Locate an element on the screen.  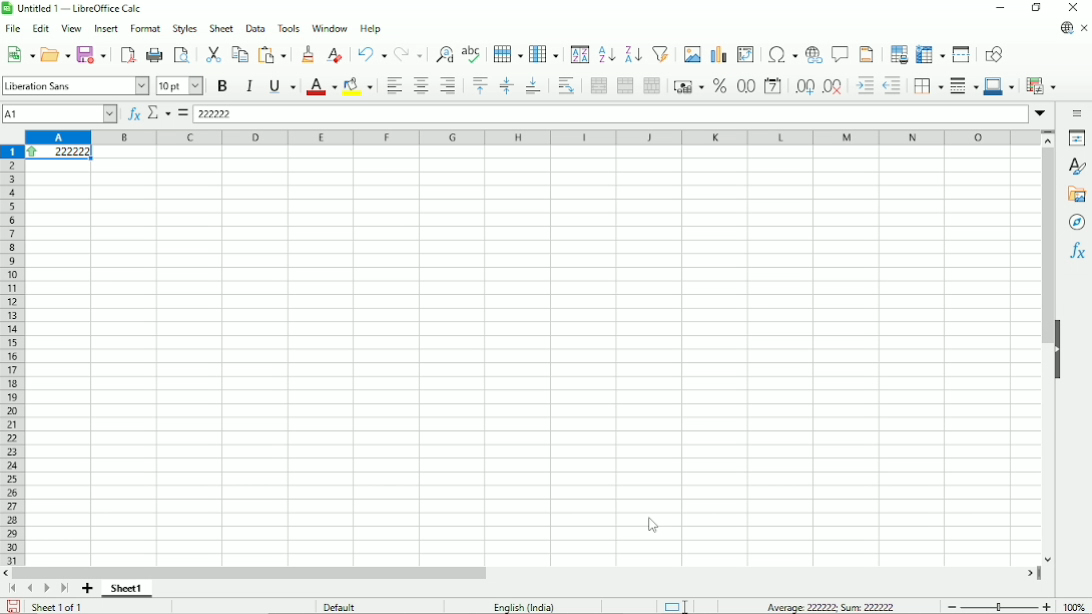
Sheet 1 of 1 is located at coordinates (60, 606).